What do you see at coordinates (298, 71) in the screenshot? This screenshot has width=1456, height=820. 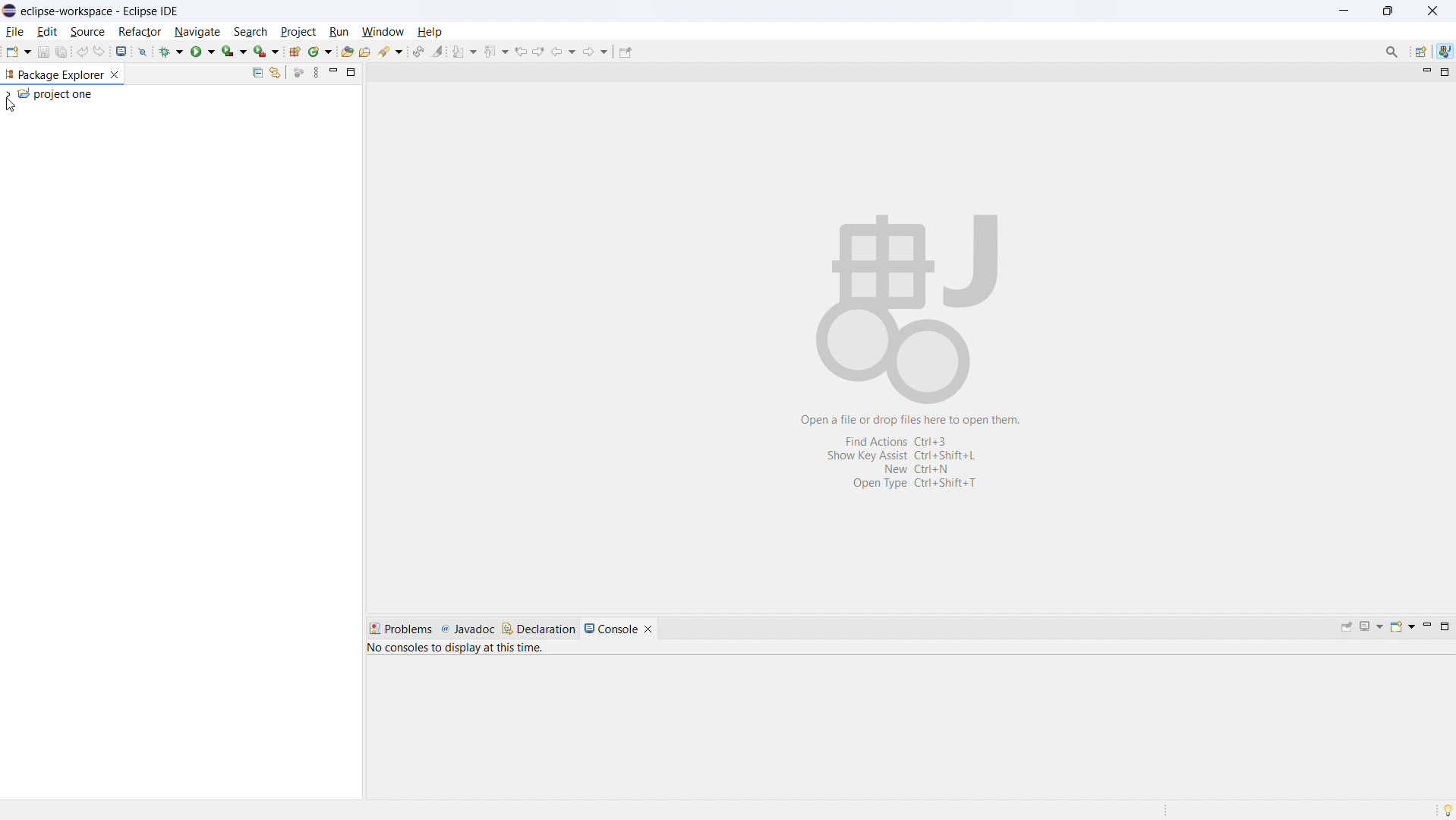 I see `focus on active task` at bounding box center [298, 71].